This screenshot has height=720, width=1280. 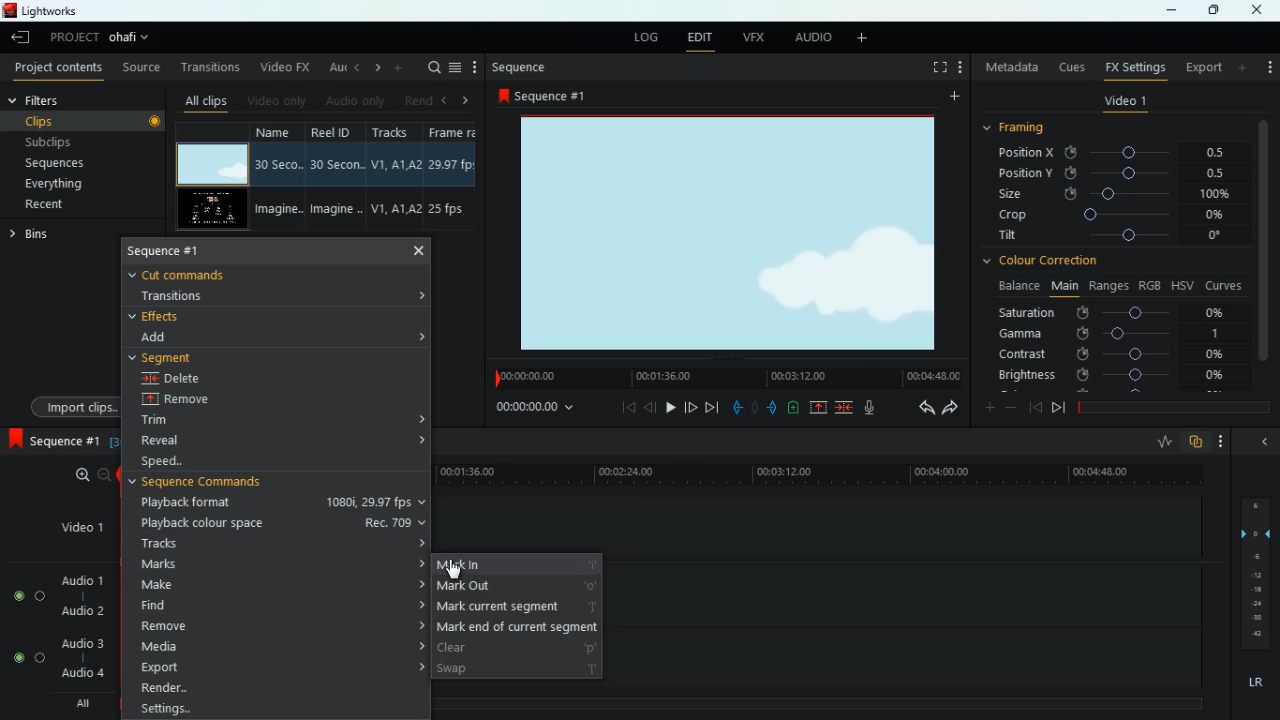 What do you see at coordinates (210, 481) in the screenshot?
I see `sequence commands` at bounding box center [210, 481].